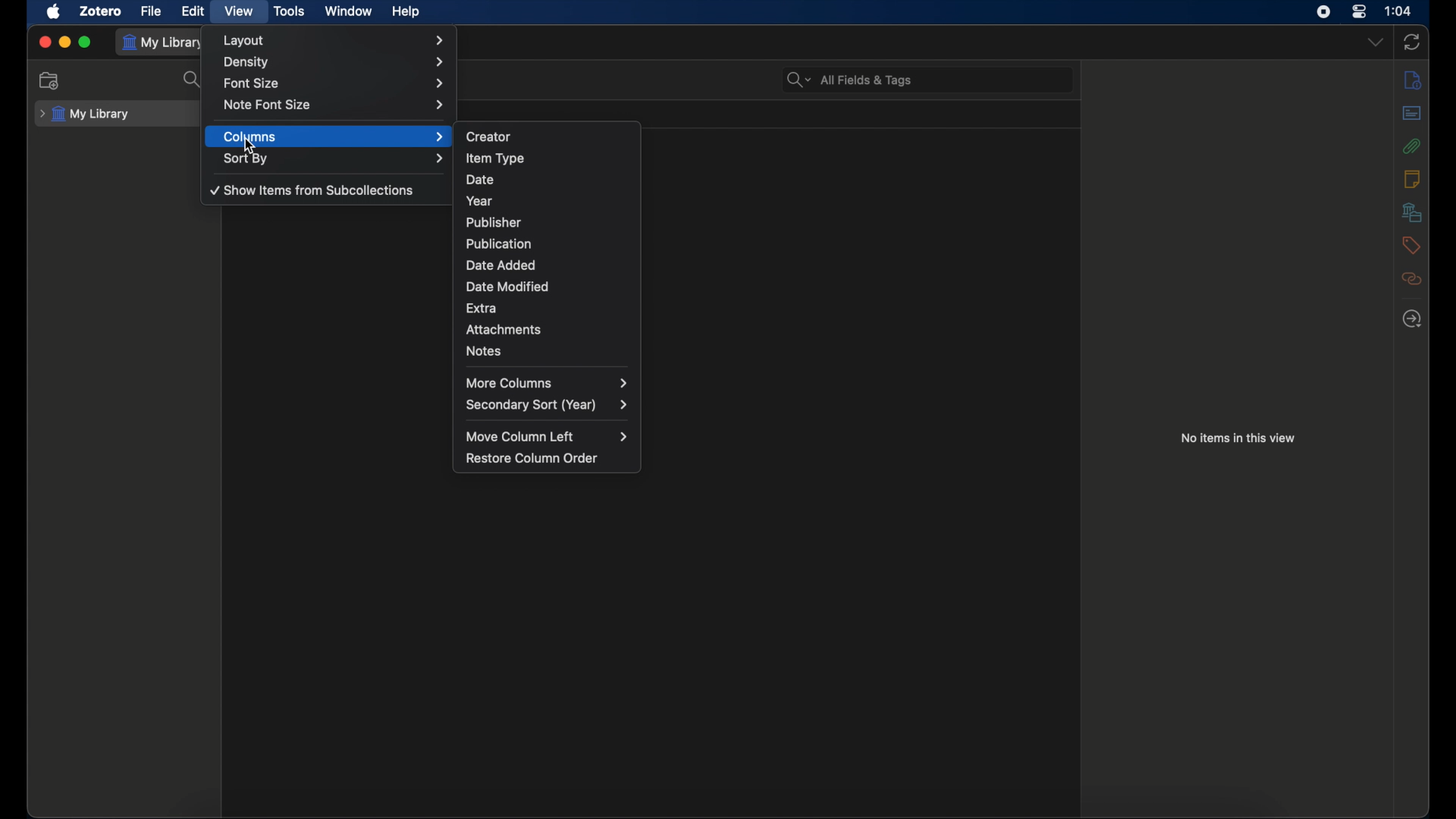 The height and width of the screenshot is (819, 1456). Describe the element at coordinates (347, 11) in the screenshot. I see `window` at that location.